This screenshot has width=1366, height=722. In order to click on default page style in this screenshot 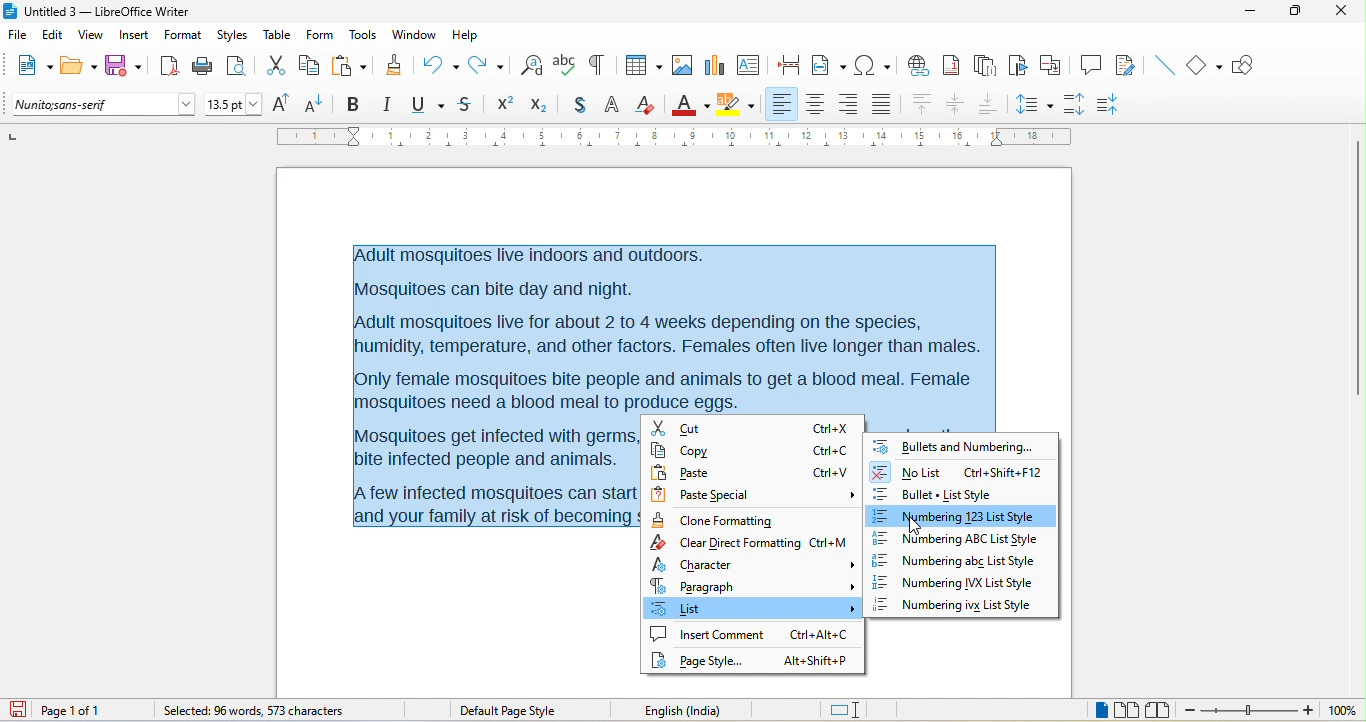, I will do `click(509, 710)`.